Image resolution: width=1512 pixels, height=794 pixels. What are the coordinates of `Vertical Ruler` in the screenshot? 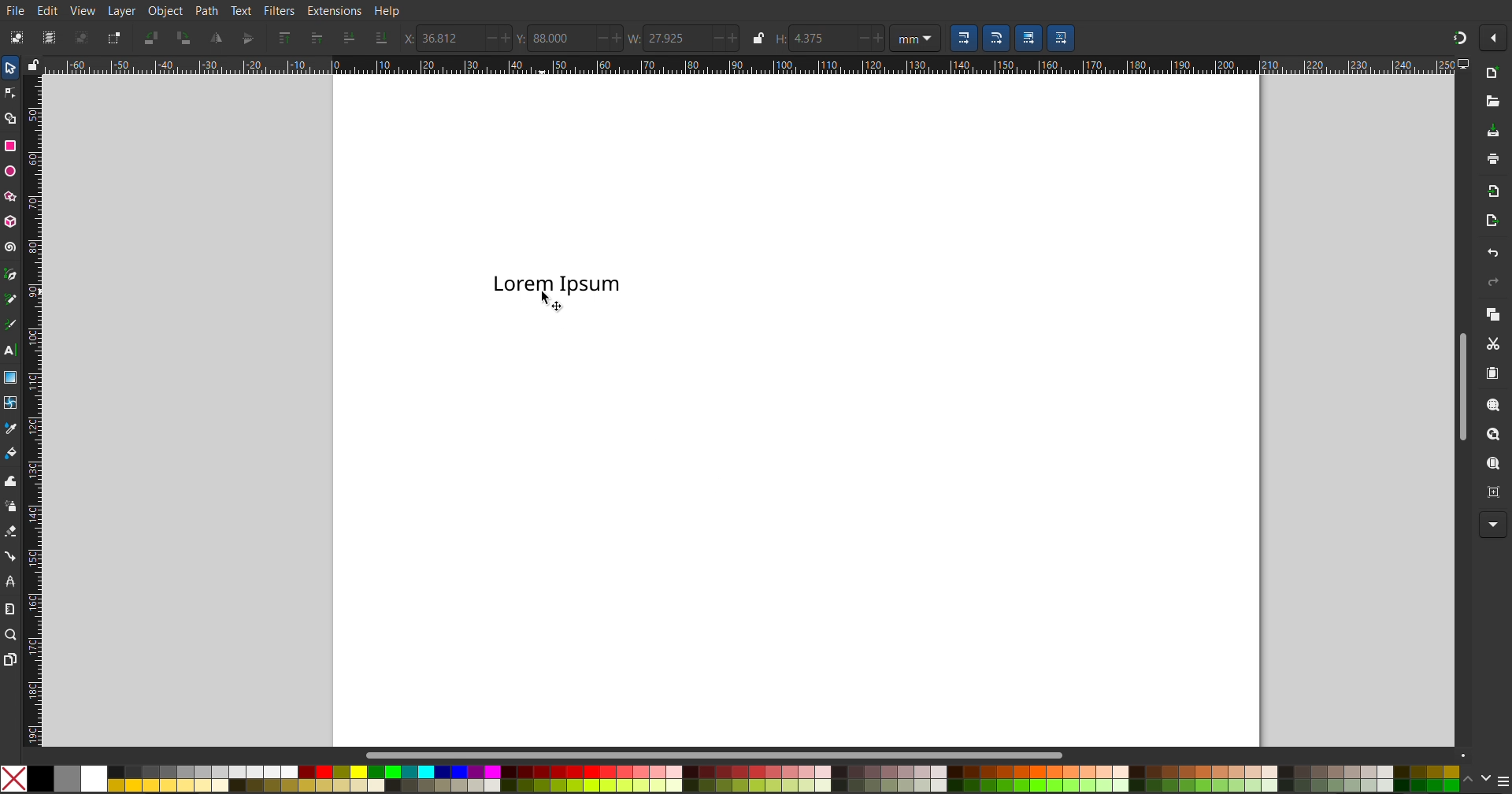 It's located at (32, 407).